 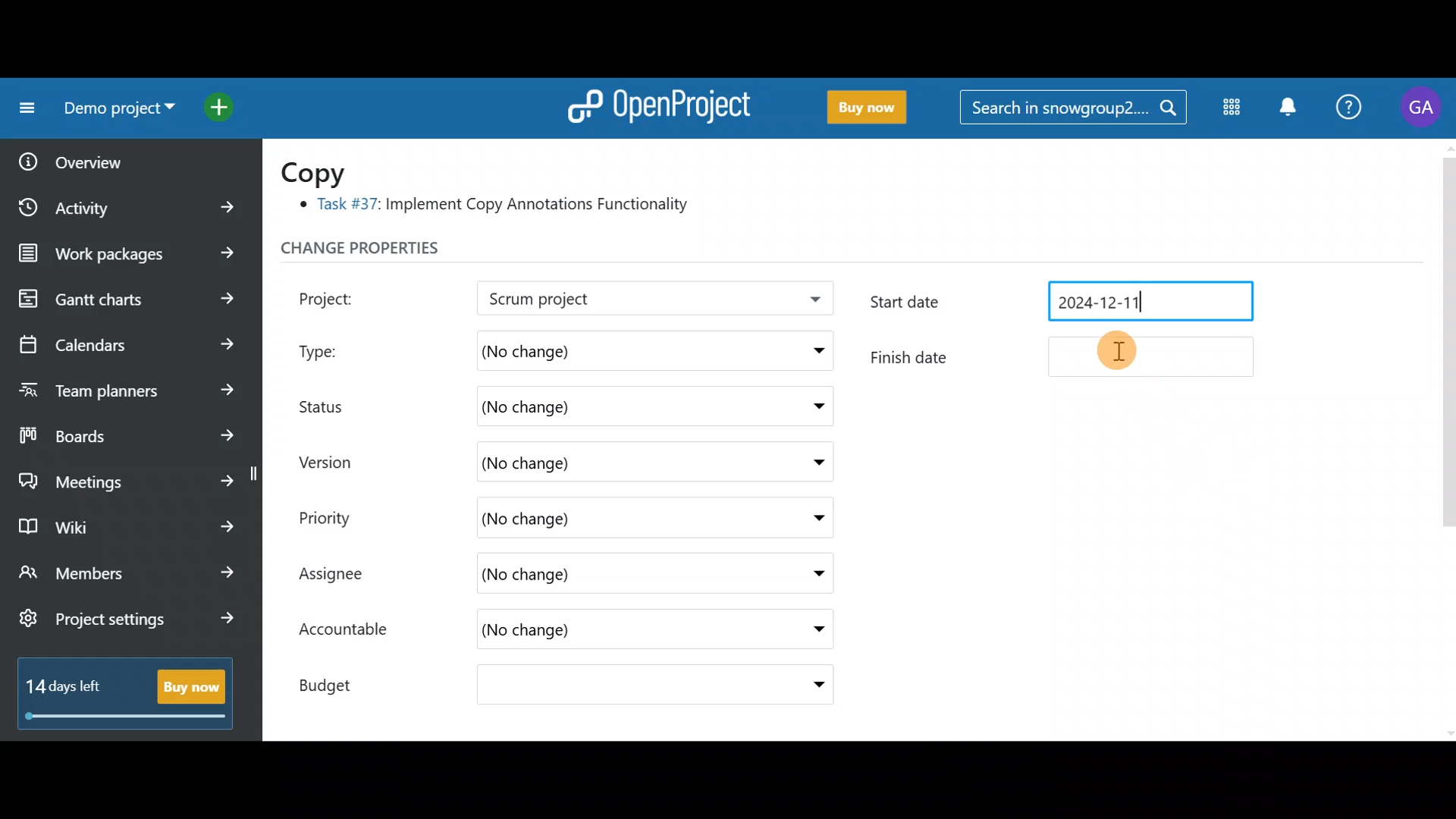 I want to click on Activity, so click(x=131, y=202).